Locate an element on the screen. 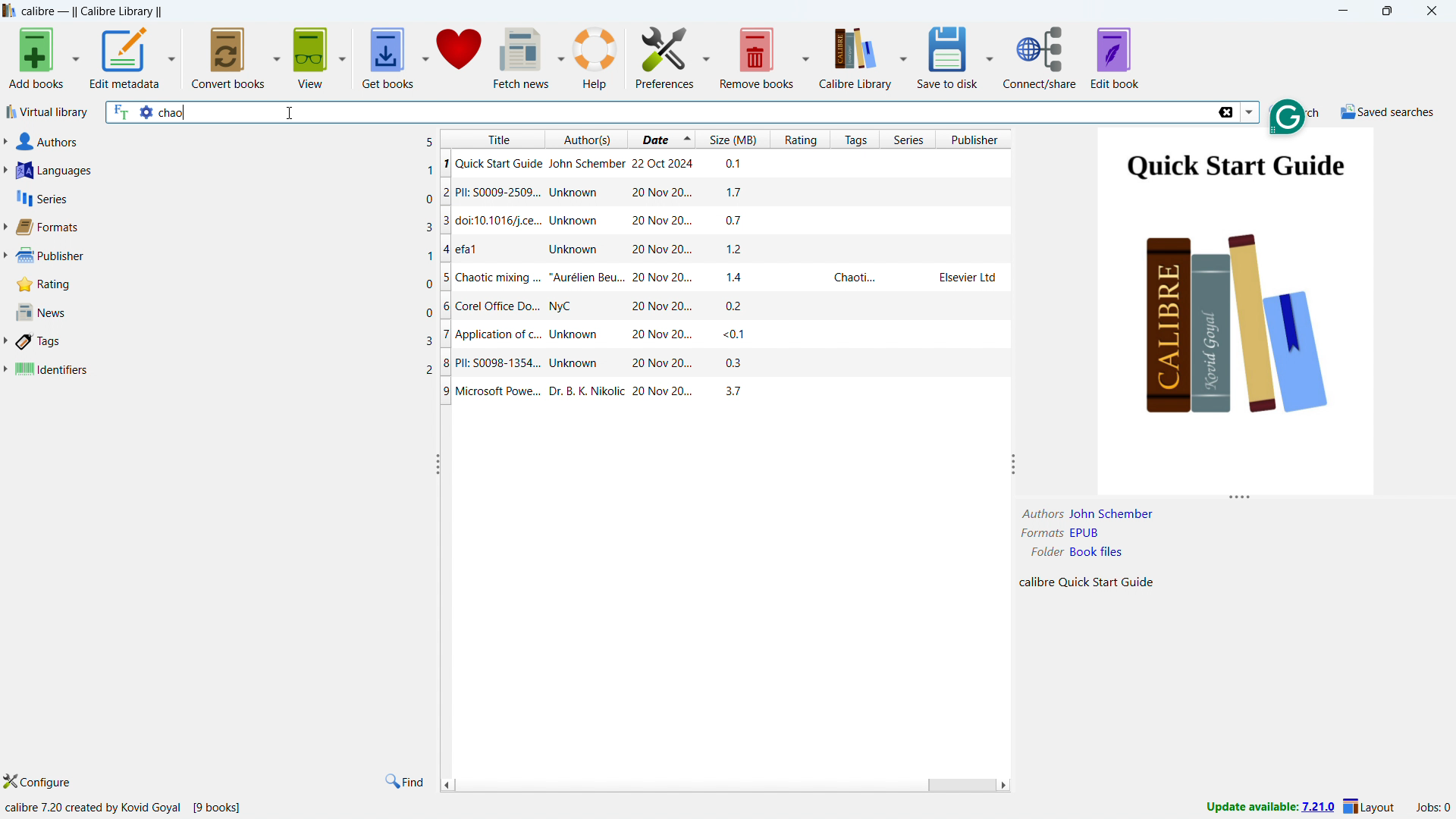 The height and width of the screenshot is (819, 1456). search history is located at coordinates (1249, 111).